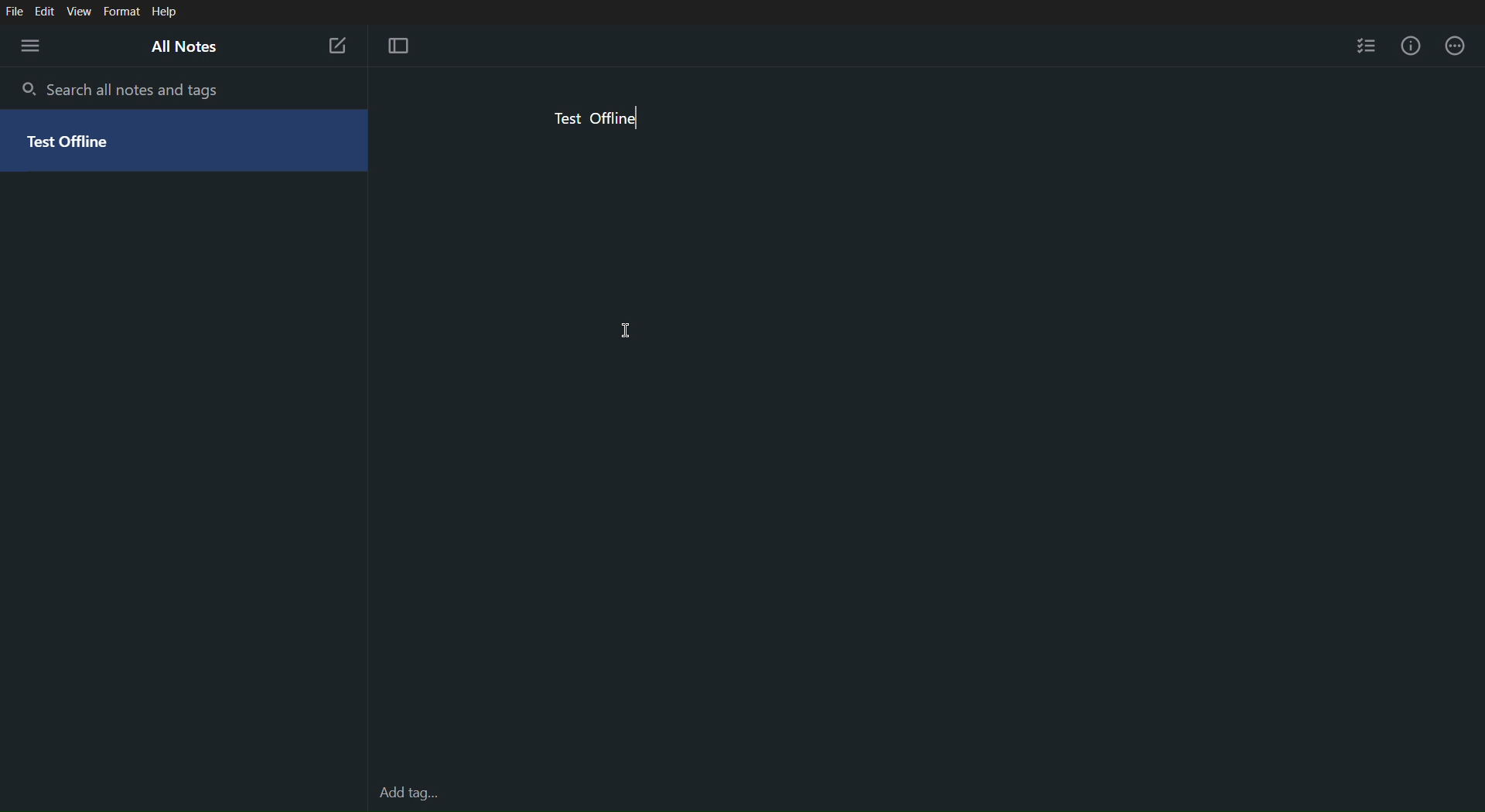 Image resolution: width=1485 pixels, height=812 pixels. I want to click on Search all notes and tags, so click(121, 91).